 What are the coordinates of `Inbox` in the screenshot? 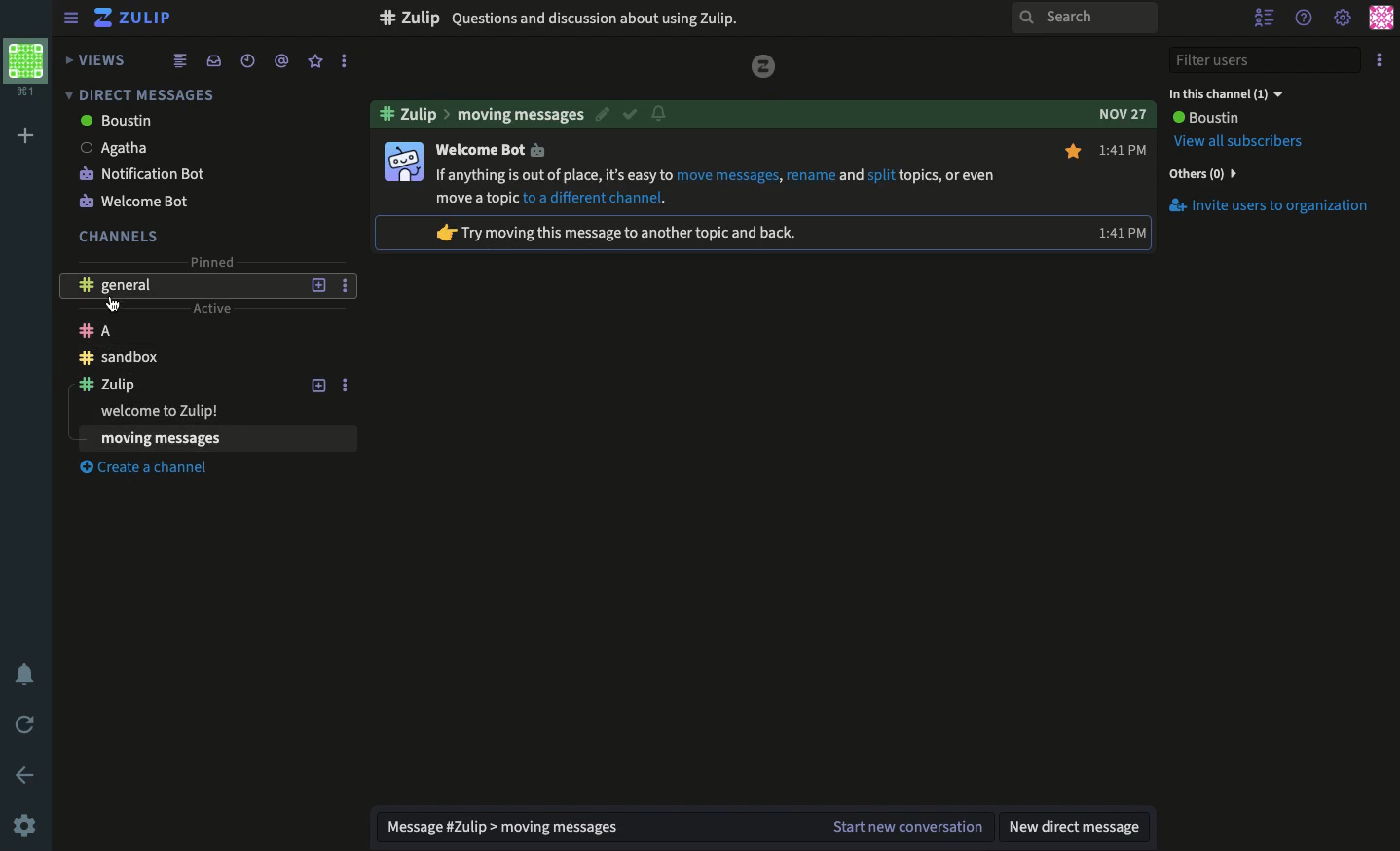 It's located at (213, 60).